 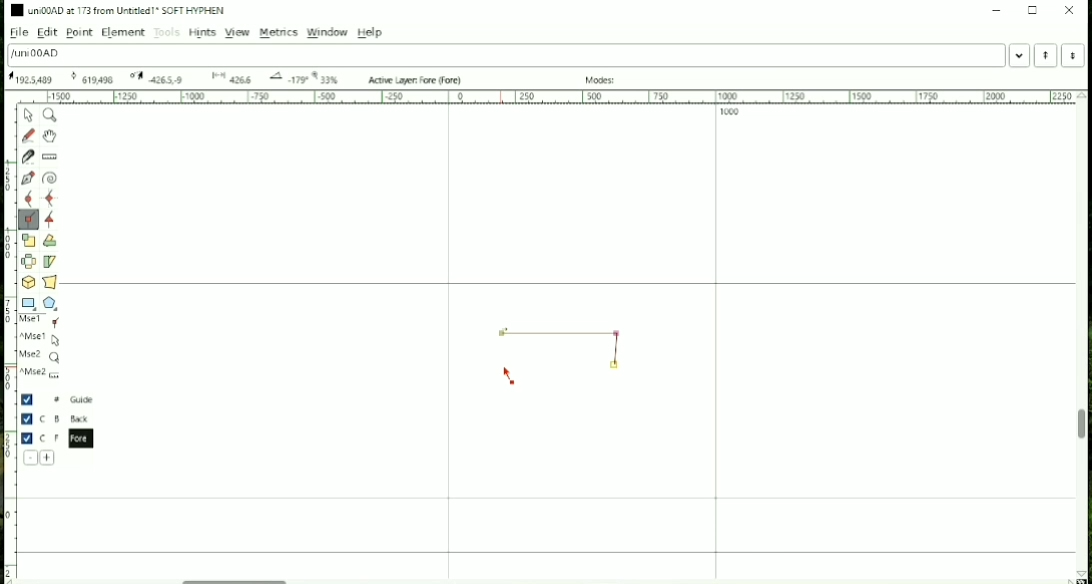 What do you see at coordinates (10, 336) in the screenshot?
I see `Vertical scale` at bounding box center [10, 336].